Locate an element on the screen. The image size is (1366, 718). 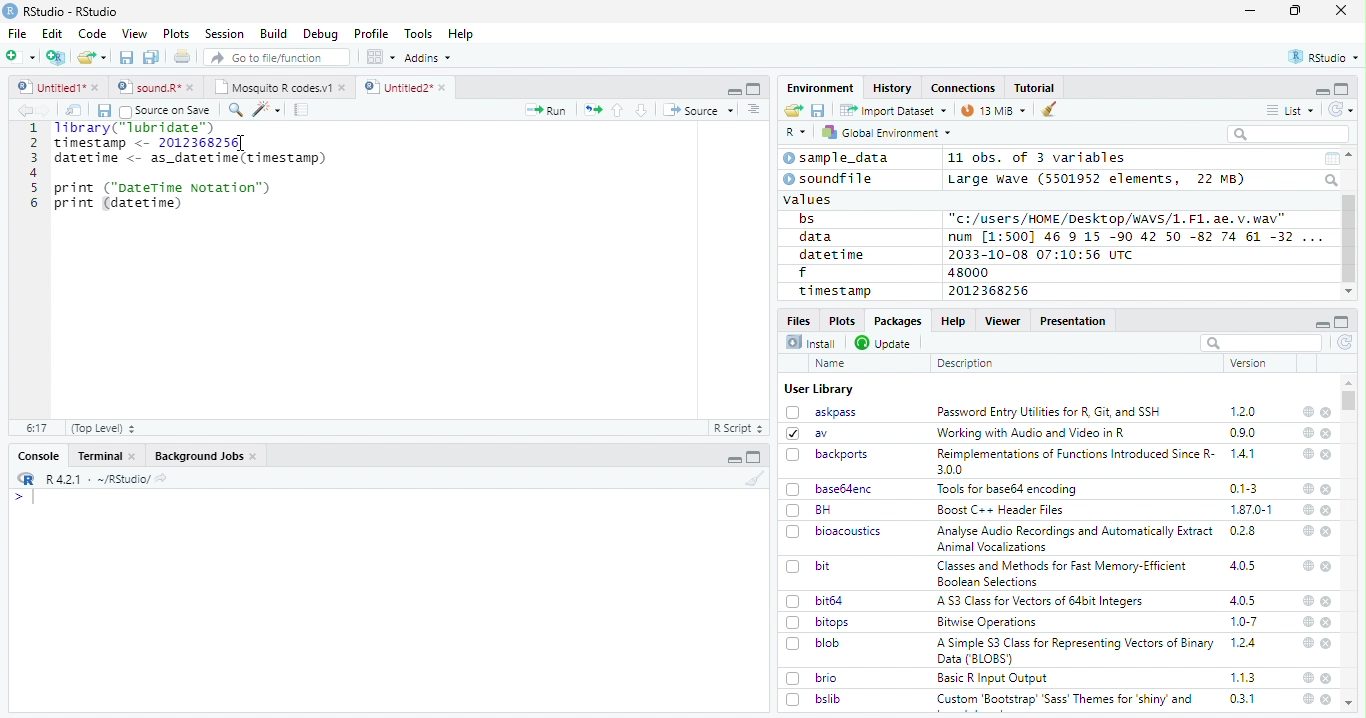
Numbering line is located at coordinates (32, 167).